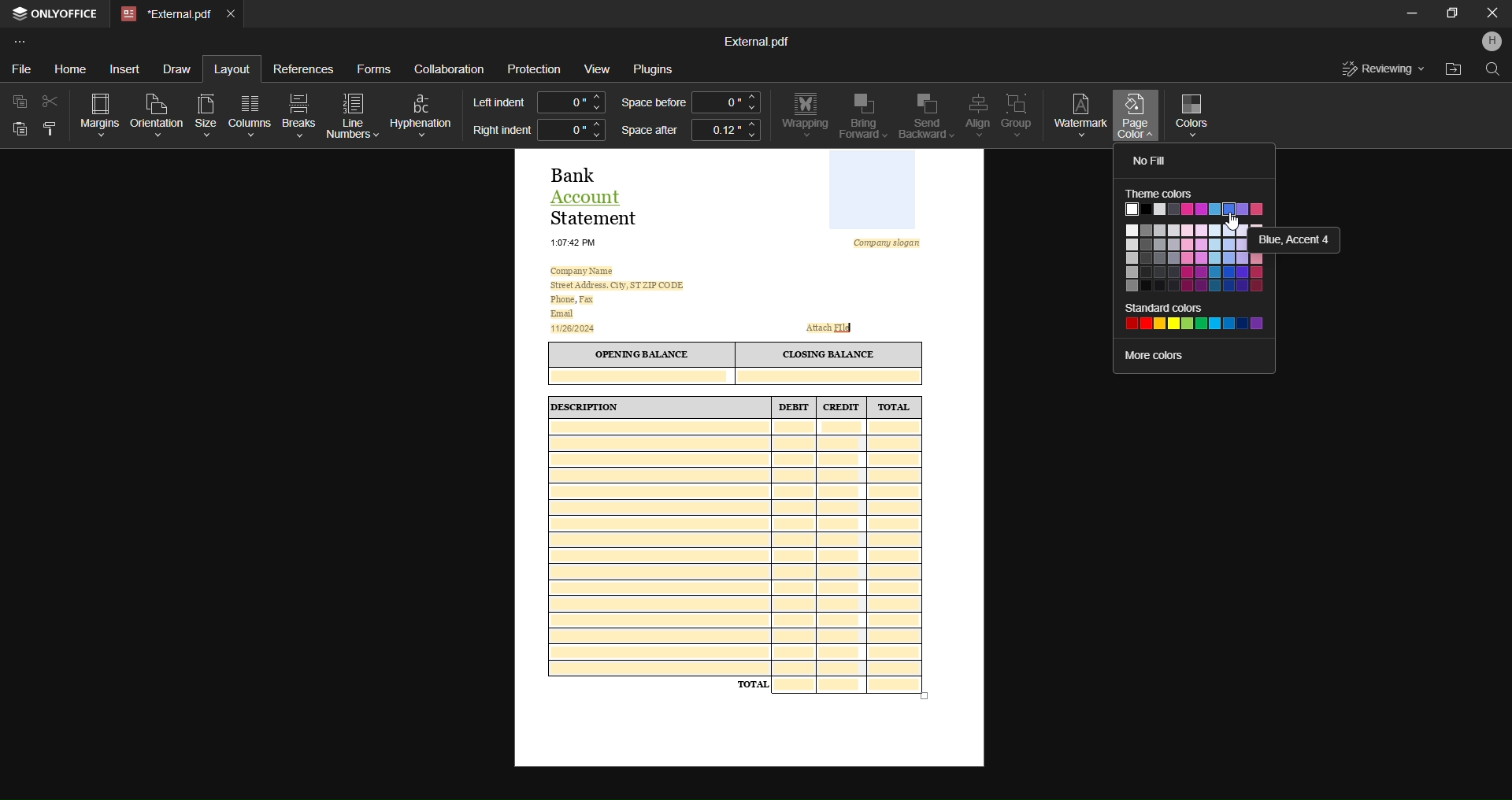  What do you see at coordinates (973, 115) in the screenshot?
I see `Align` at bounding box center [973, 115].